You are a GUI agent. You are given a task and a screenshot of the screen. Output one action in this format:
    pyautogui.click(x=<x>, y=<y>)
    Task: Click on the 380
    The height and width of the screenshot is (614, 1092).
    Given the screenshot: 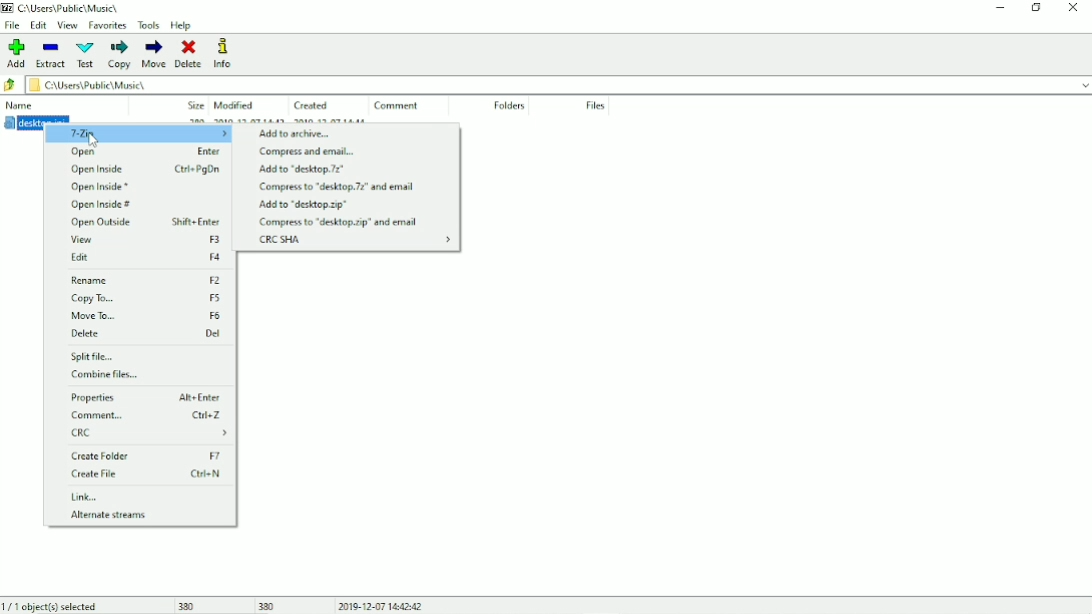 What is the action you would take?
    pyautogui.click(x=267, y=605)
    